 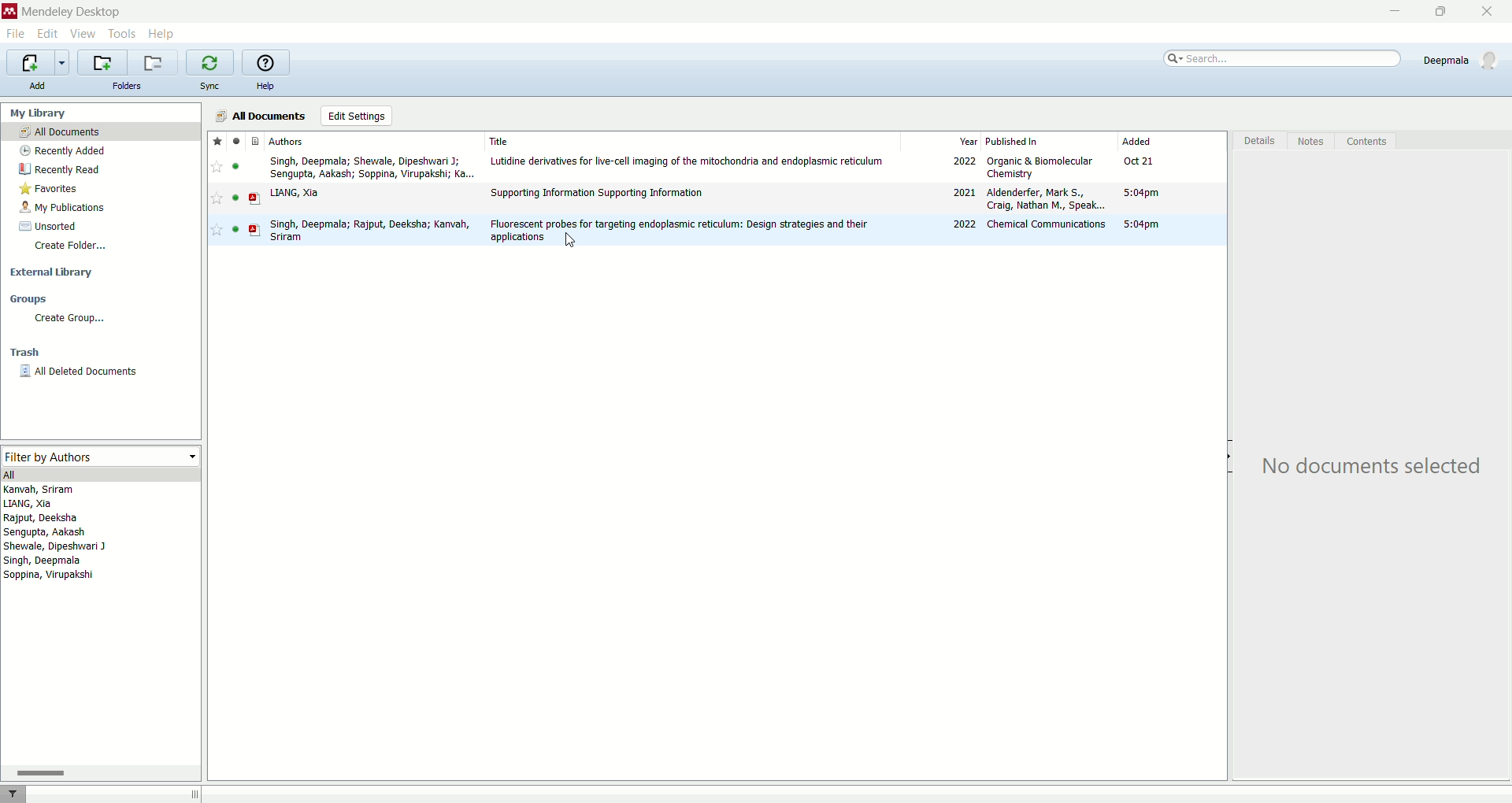 I want to click on favorite, so click(x=217, y=140).